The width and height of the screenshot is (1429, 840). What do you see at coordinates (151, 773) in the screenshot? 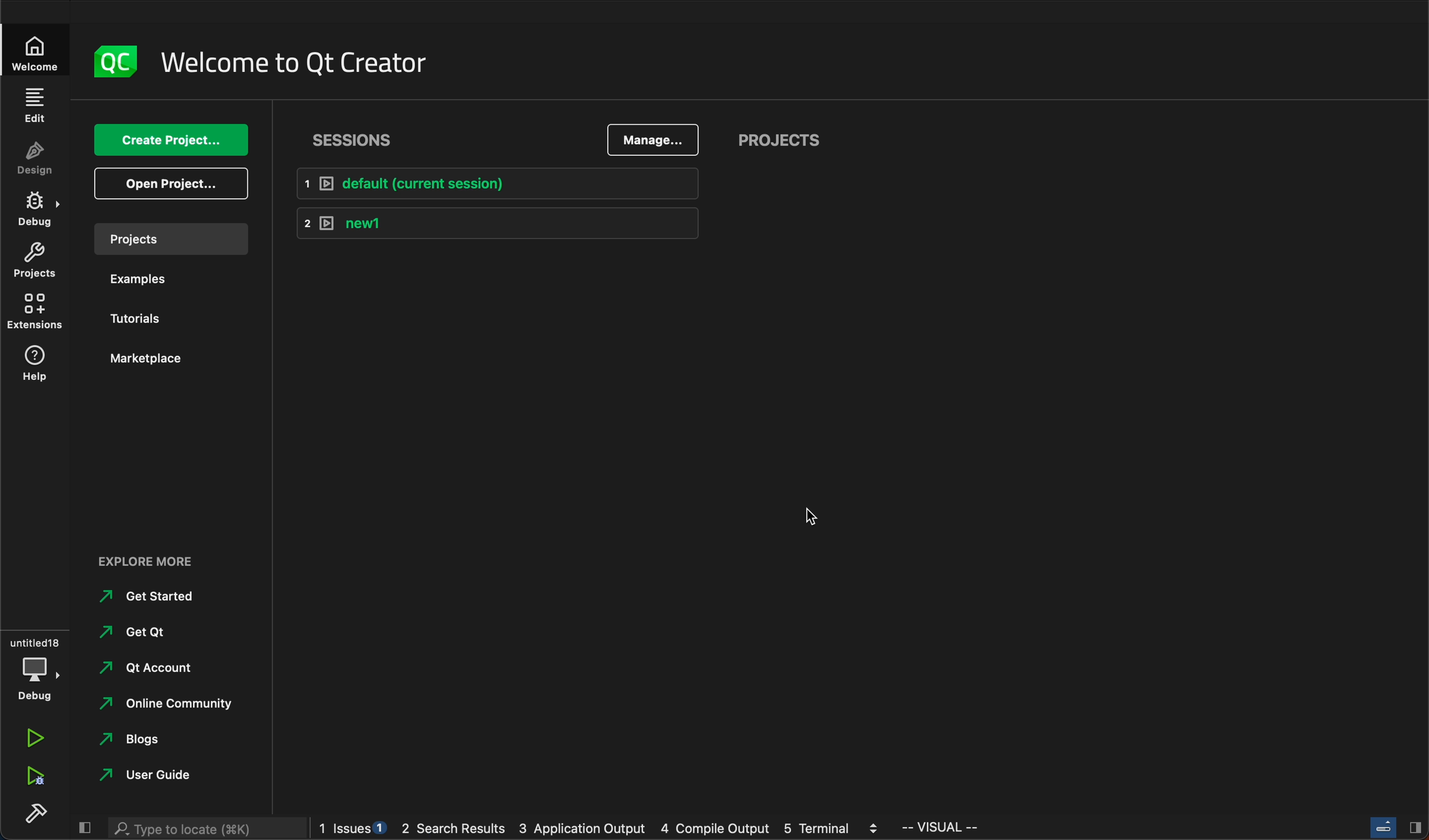
I see `guide` at bounding box center [151, 773].